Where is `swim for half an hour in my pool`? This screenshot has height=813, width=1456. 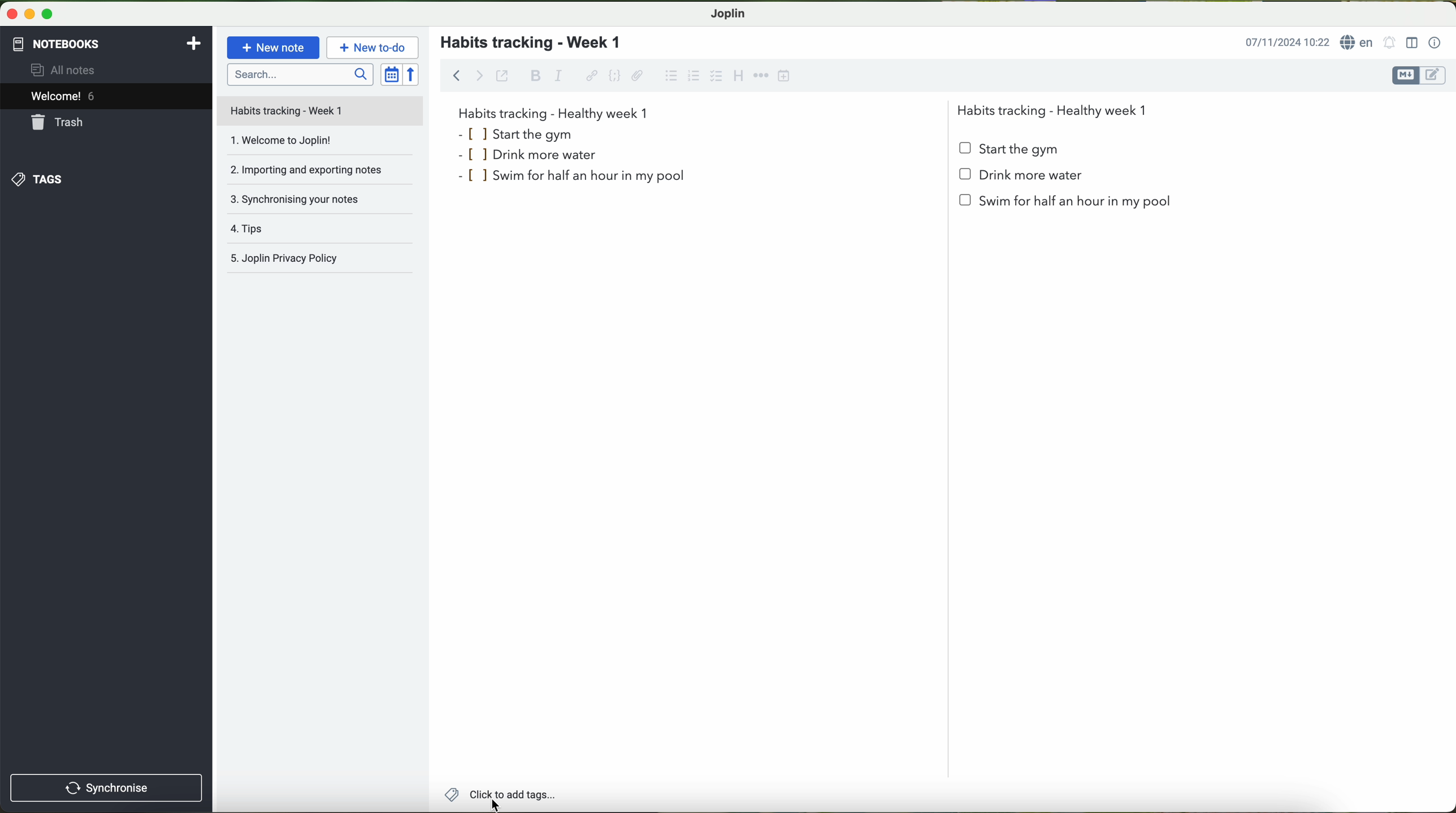
swim for half an hour in my pool is located at coordinates (1067, 205).